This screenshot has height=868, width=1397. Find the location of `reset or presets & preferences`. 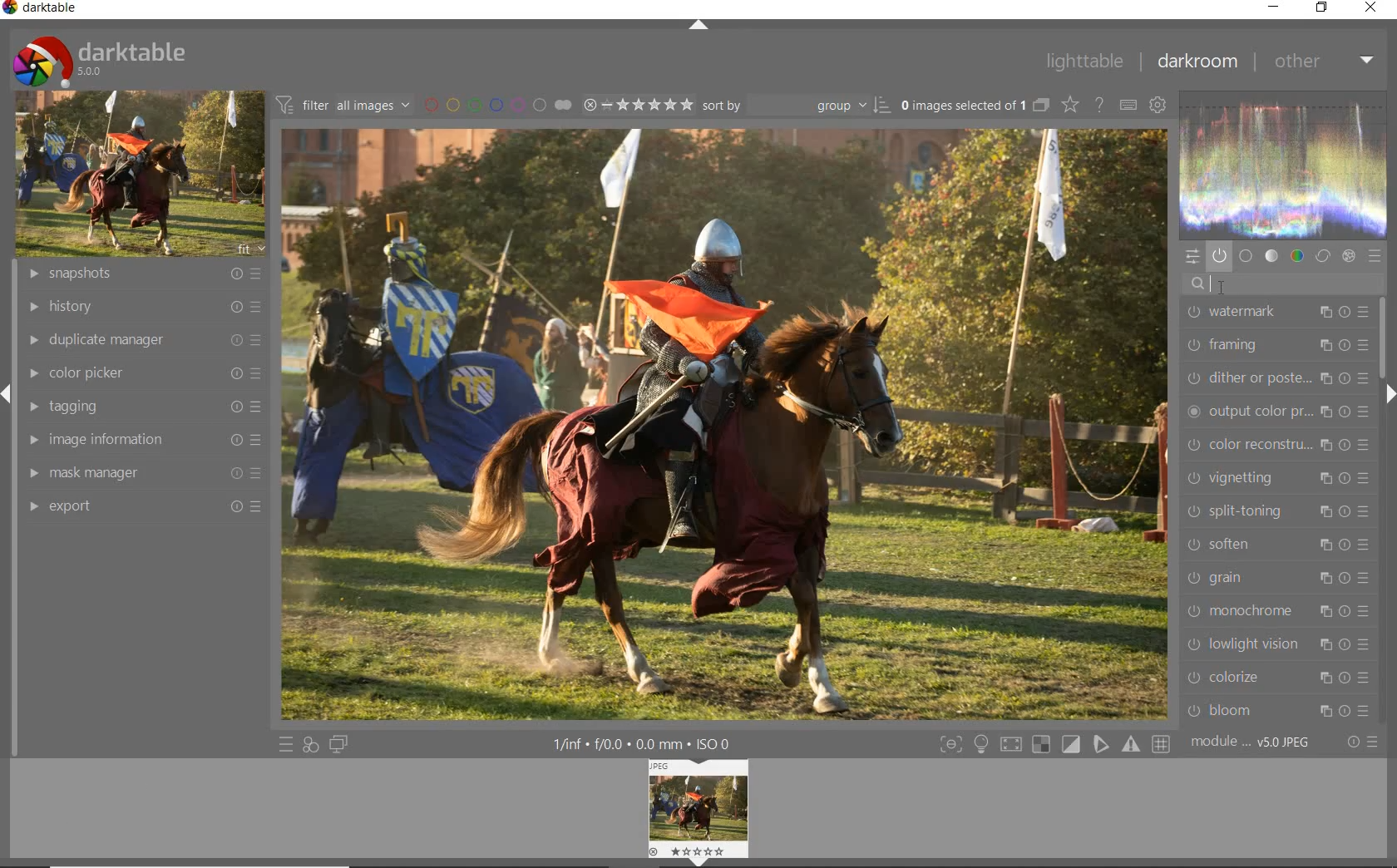

reset or presets & preferences is located at coordinates (1362, 743).